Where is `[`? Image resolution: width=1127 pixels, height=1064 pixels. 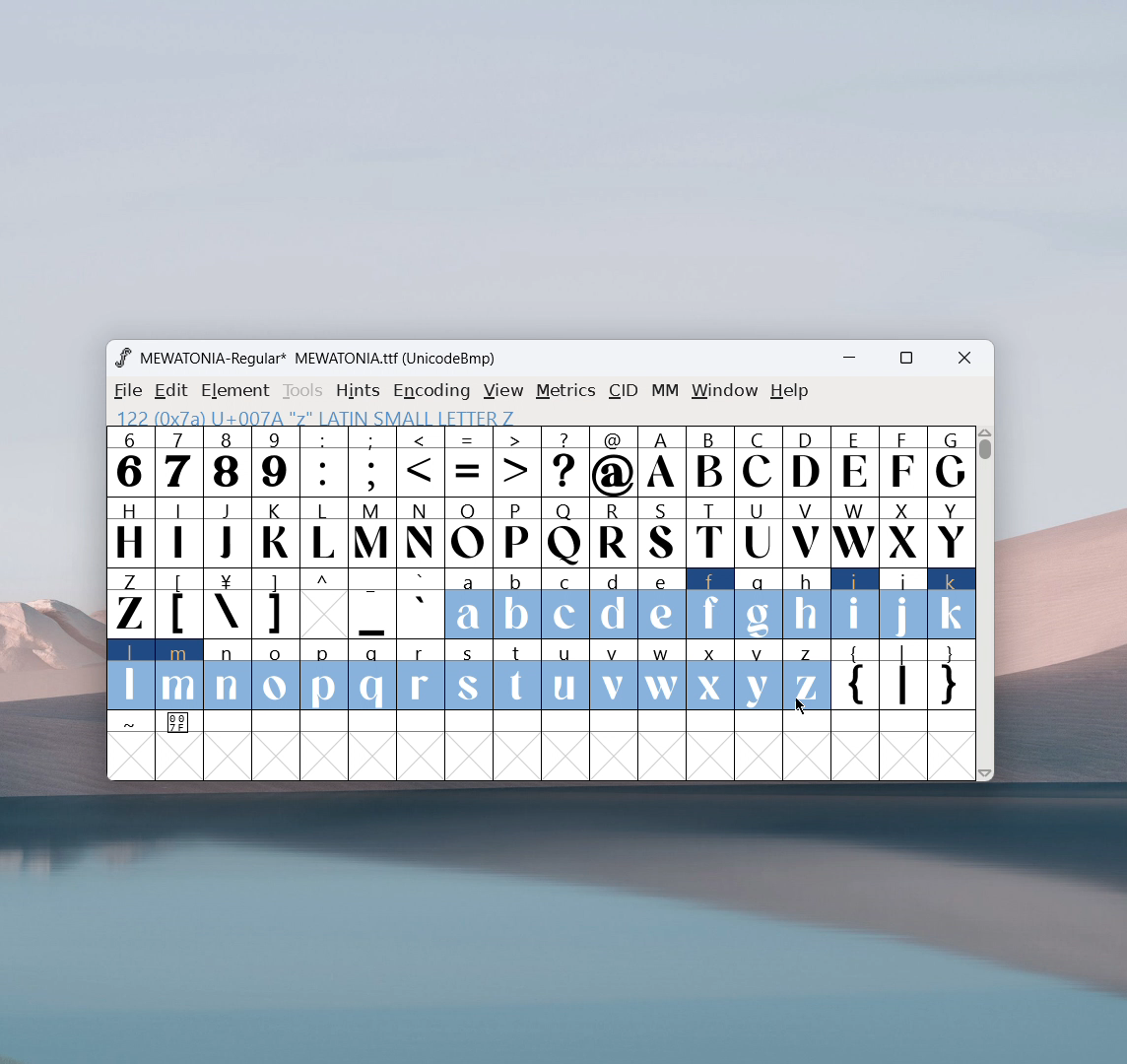
[ is located at coordinates (179, 604).